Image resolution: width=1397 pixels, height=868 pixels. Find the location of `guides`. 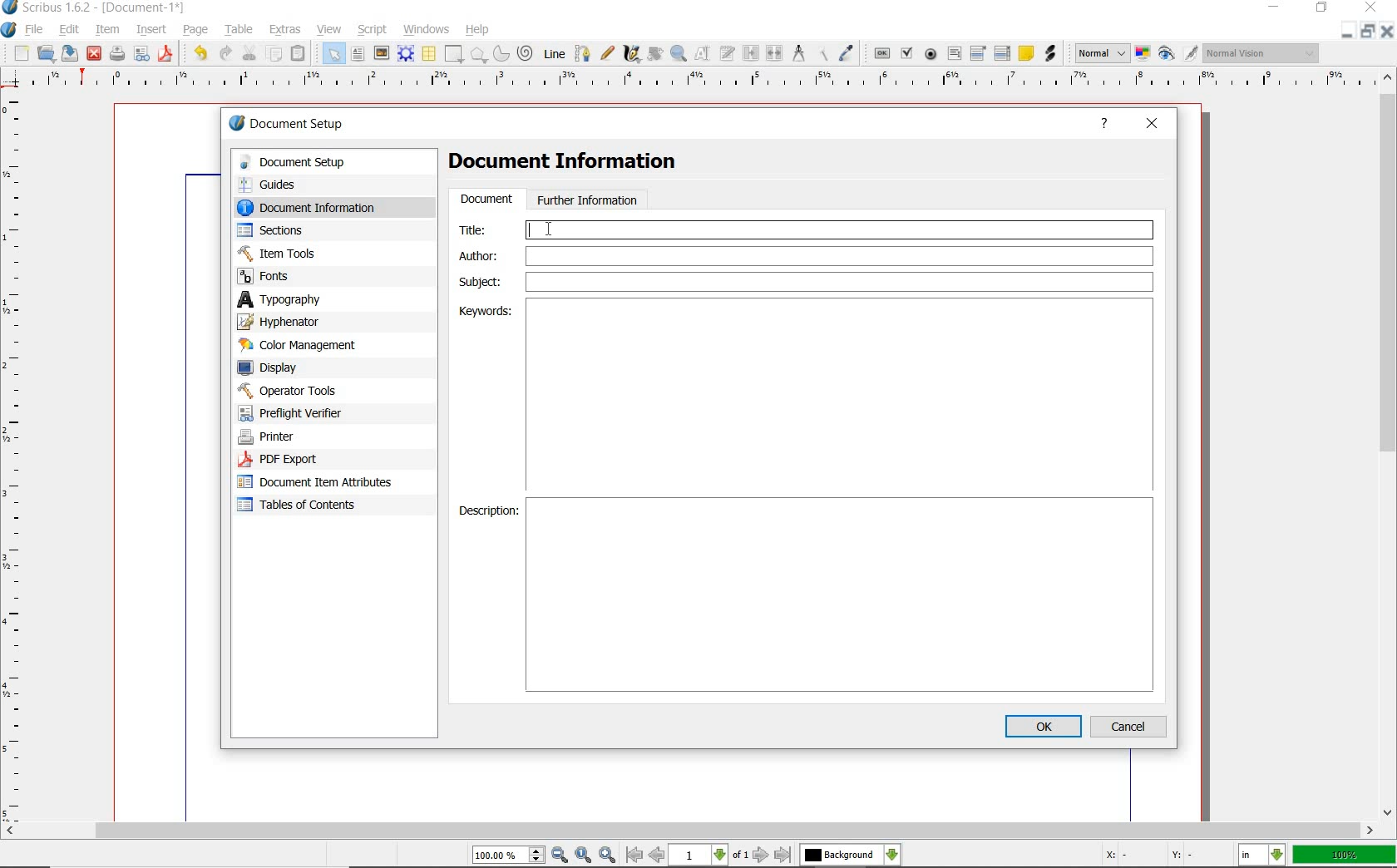

guides is located at coordinates (318, 184).